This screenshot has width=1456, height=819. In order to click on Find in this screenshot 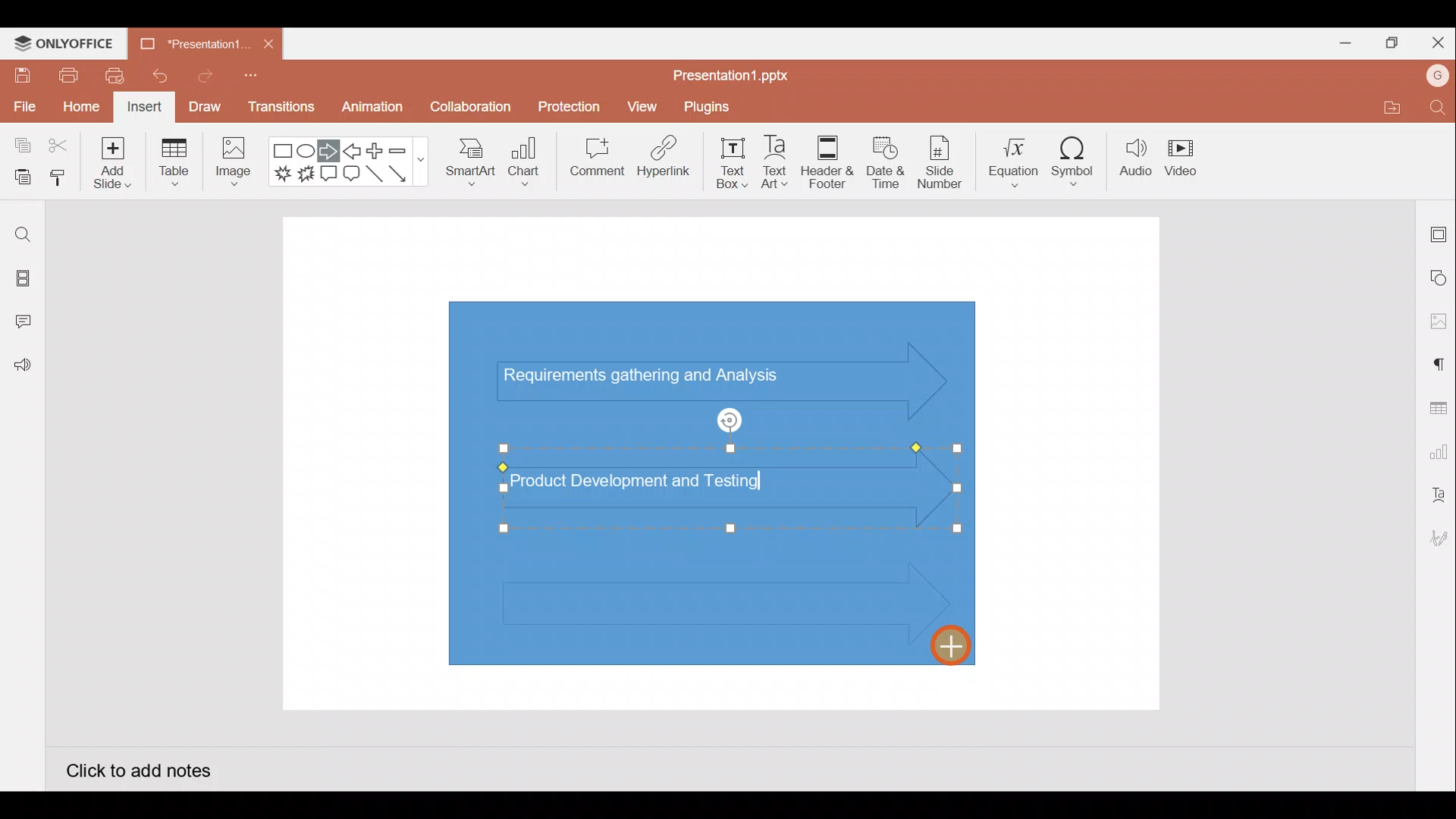, I will do `click(1439, 107)`.